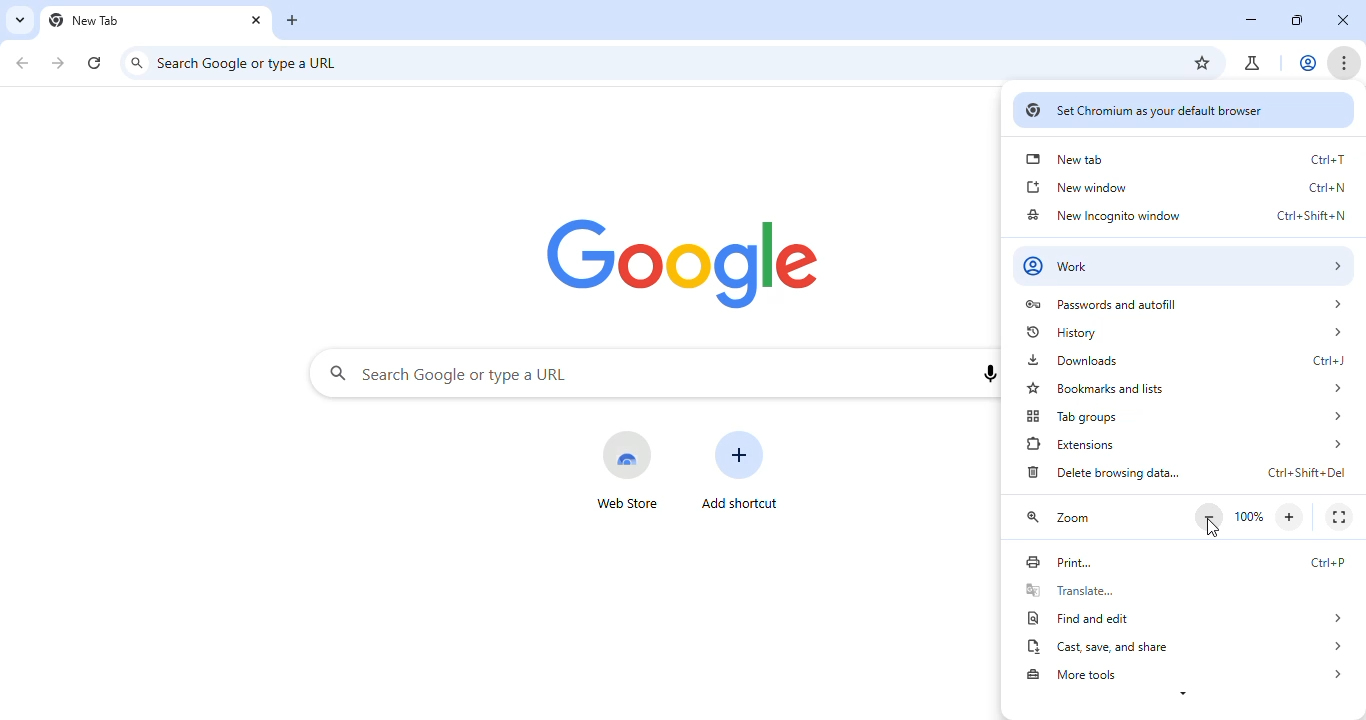  What do you see at coordinates (1061, 518) in the screenshot?
I see `zoom` at bounding box center [1061, 518].